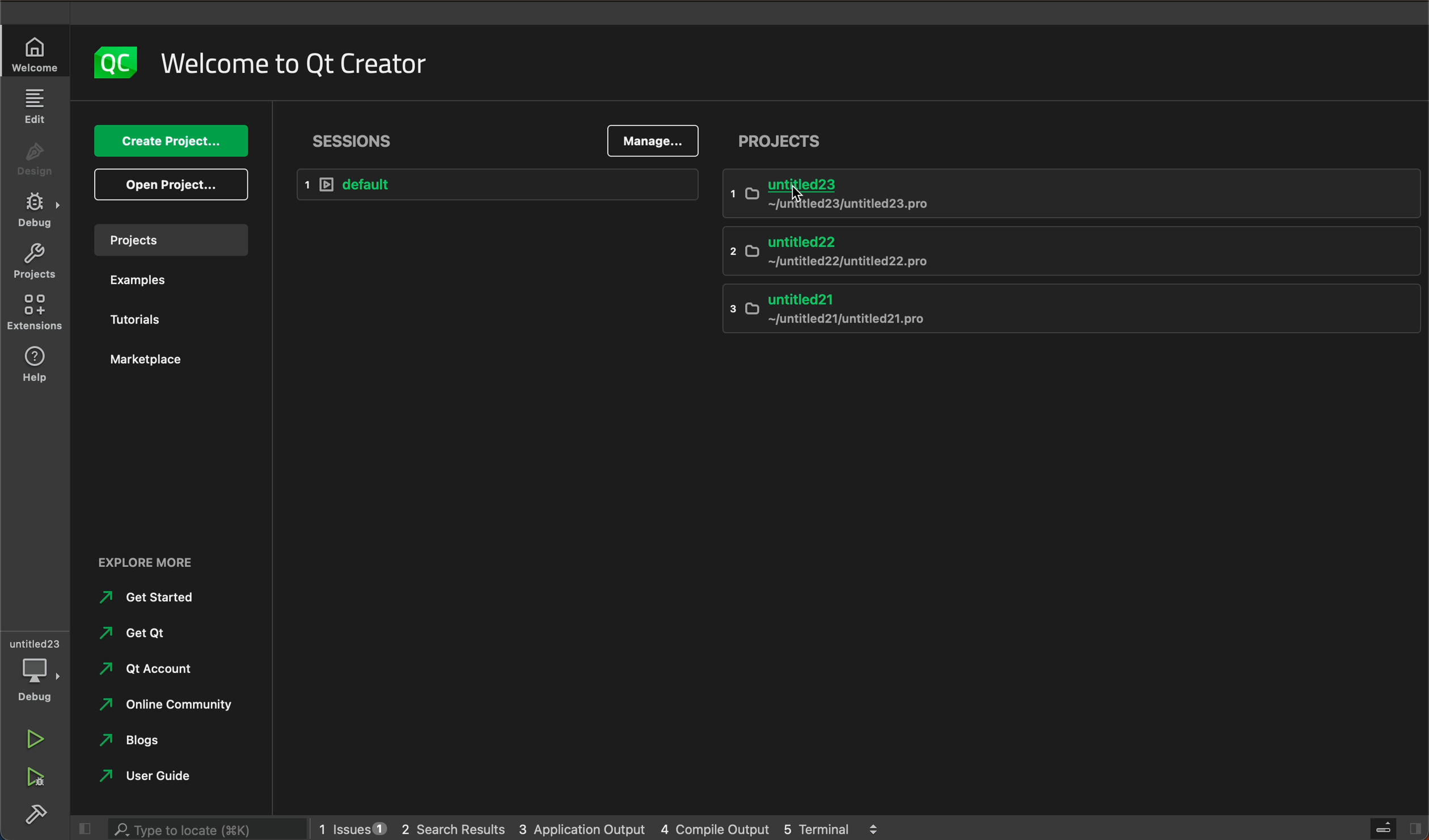  Describe the element at coordinates (209, 829) in the screenshot. I see `search bar` at that location.